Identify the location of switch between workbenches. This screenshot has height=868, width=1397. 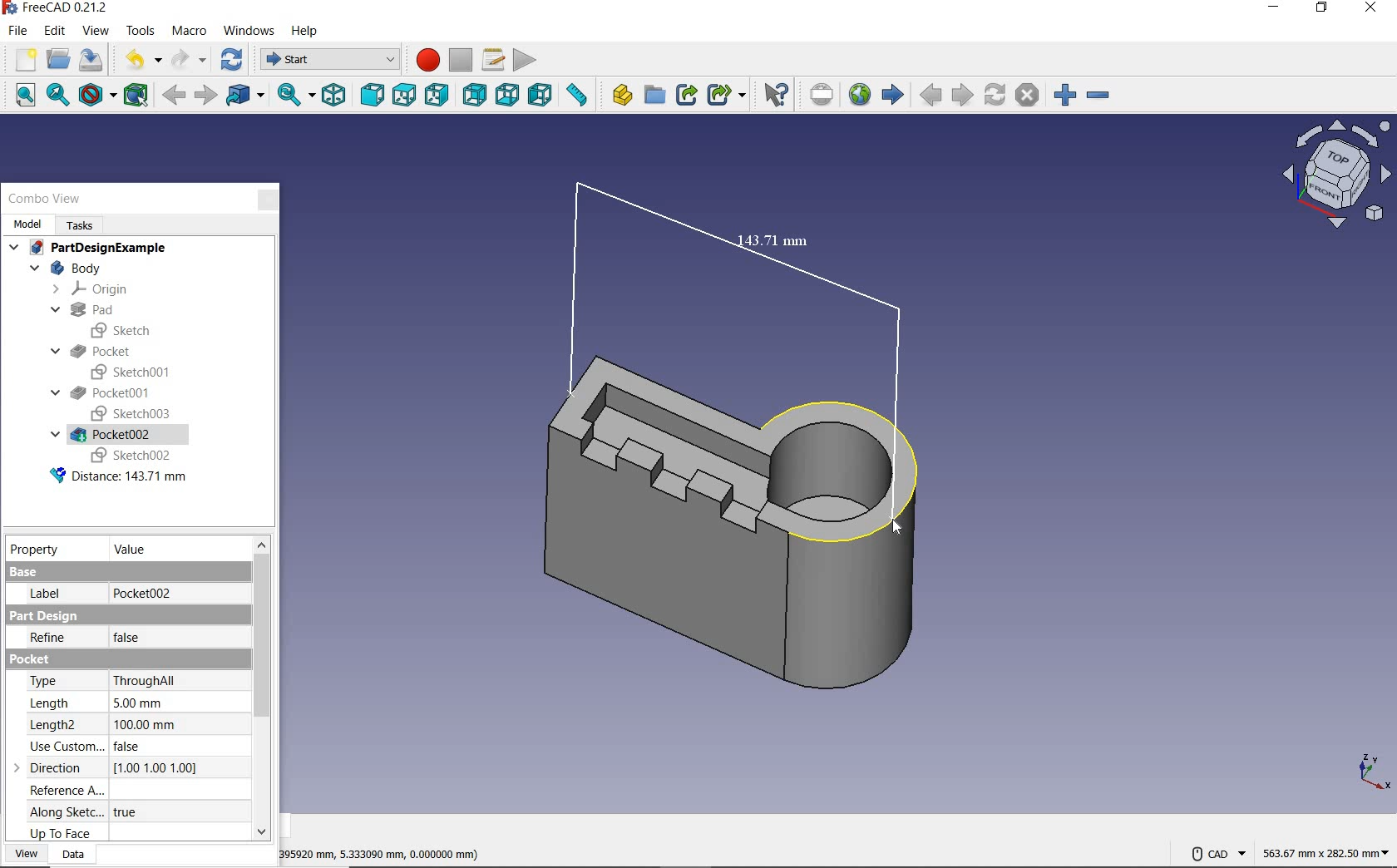
(327, 60).